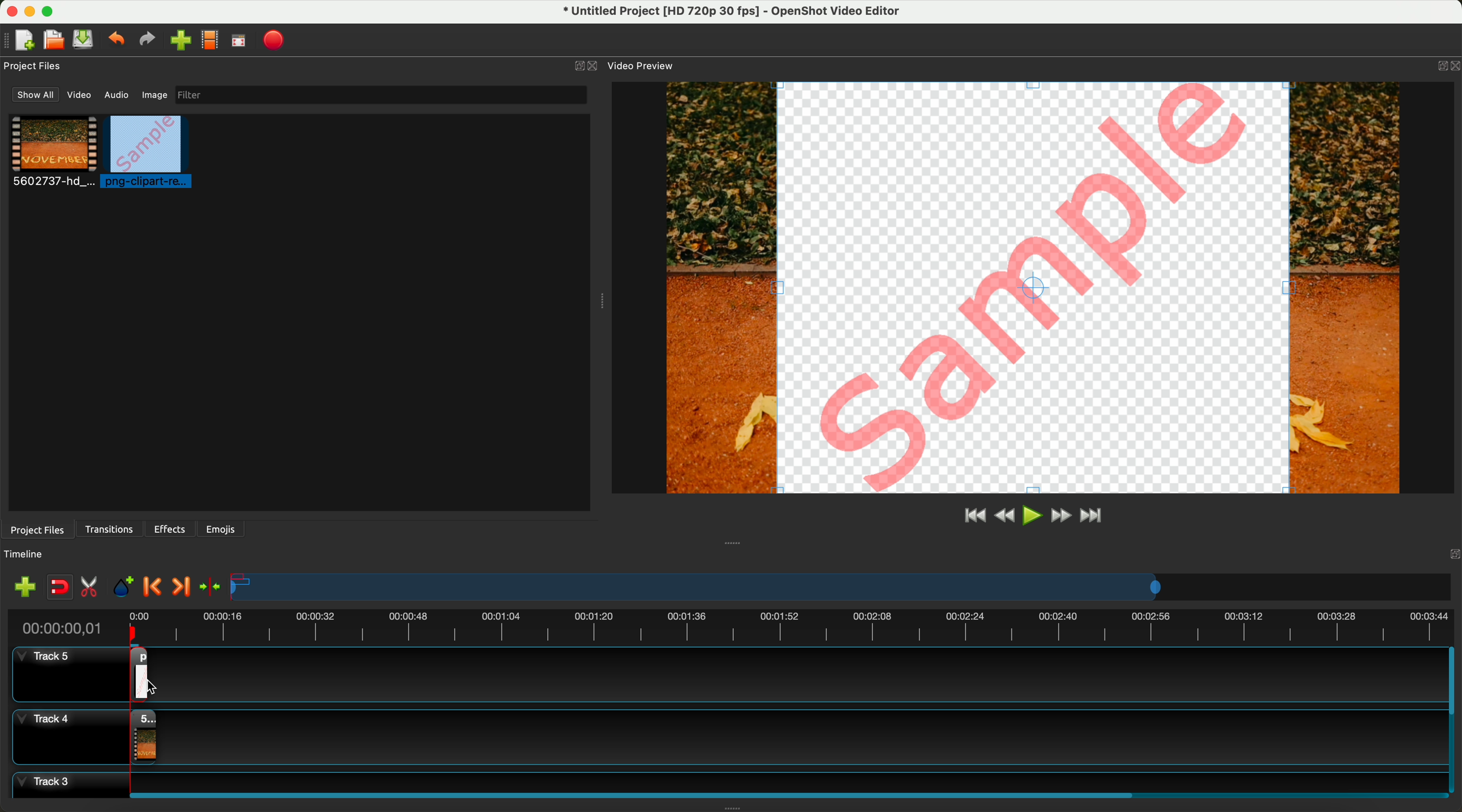 Image resolution: width=1462 pixels, height=812 pixels. What do you see at coordinates (34, 66) in the screenshot?
I see `project files` at bounding box center [34, 66].